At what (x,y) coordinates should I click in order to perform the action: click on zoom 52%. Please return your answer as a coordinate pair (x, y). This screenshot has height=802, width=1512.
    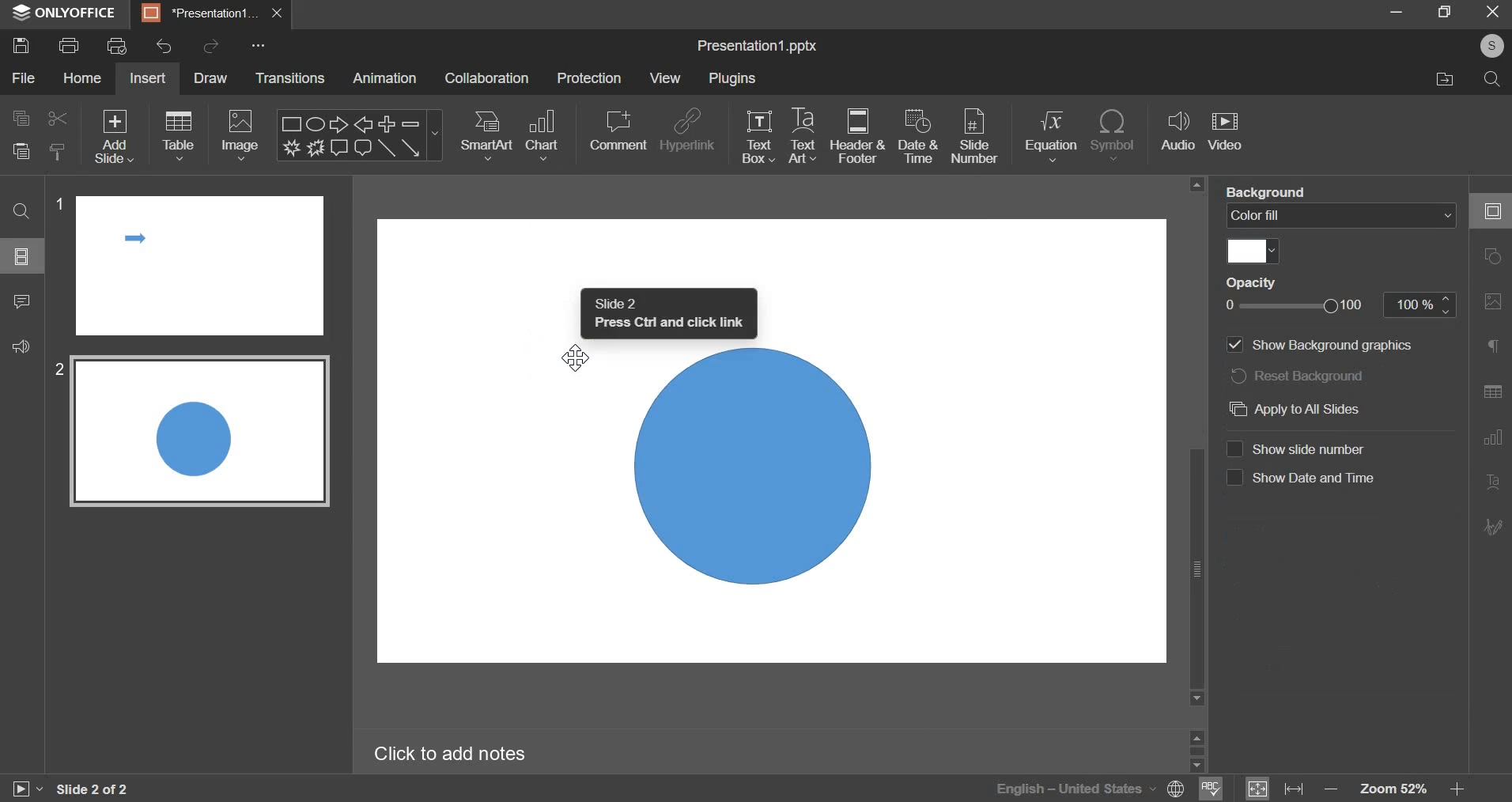
    Looking at the image, I should click on (1394, 789).